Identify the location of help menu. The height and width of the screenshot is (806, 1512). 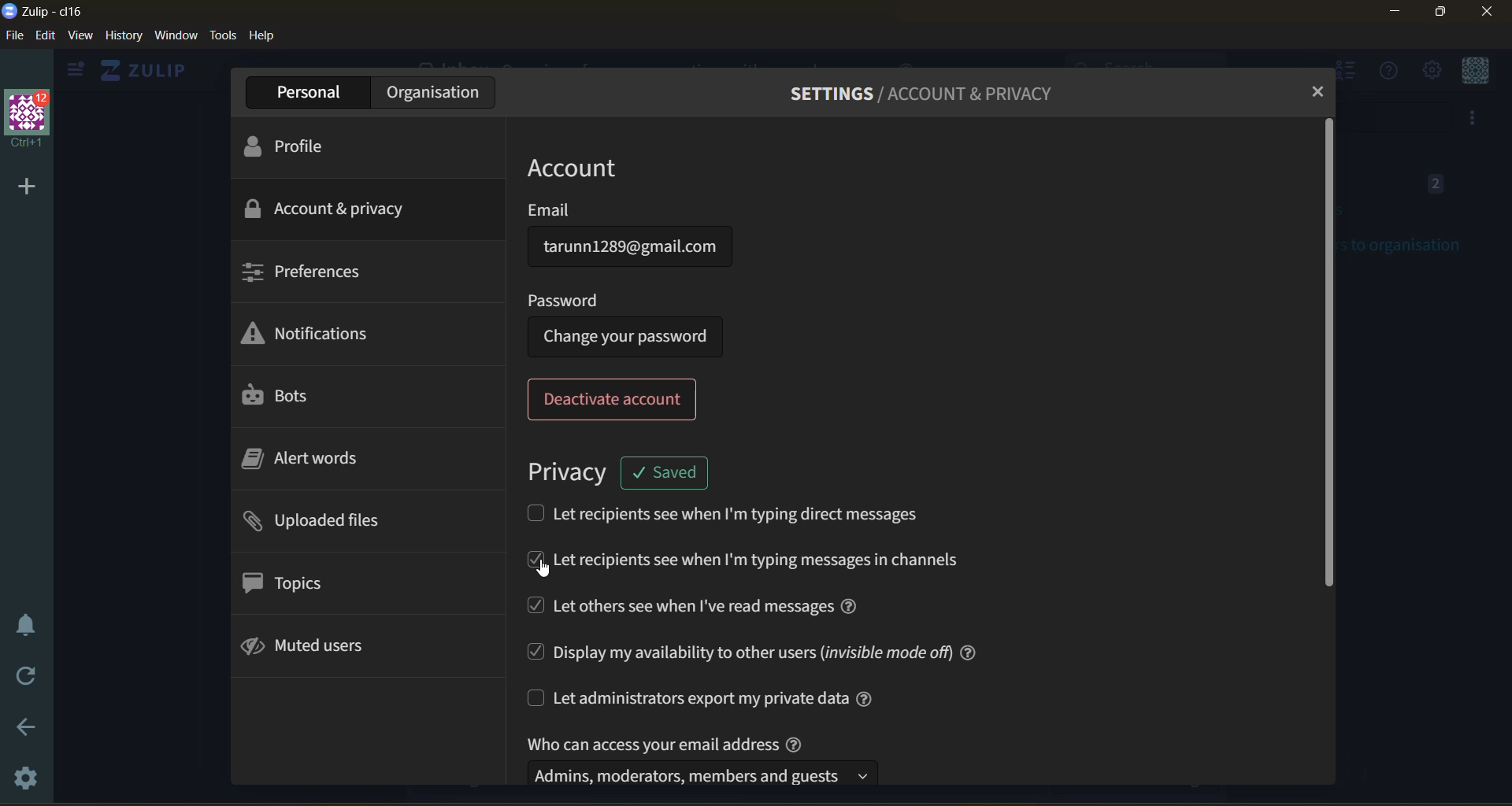
(1385, 72).